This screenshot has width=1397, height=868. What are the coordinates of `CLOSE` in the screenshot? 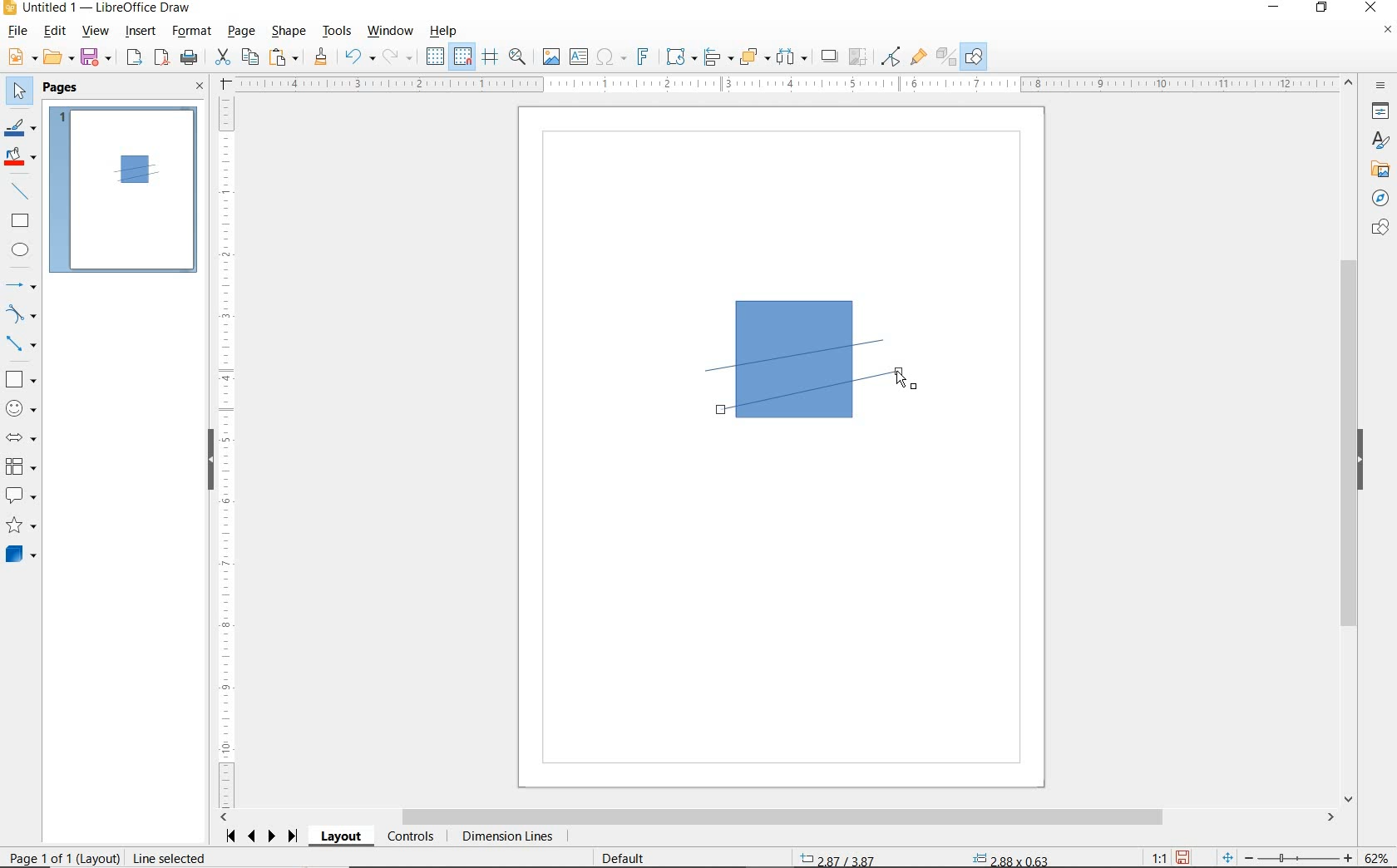 It's located at (200, 87).